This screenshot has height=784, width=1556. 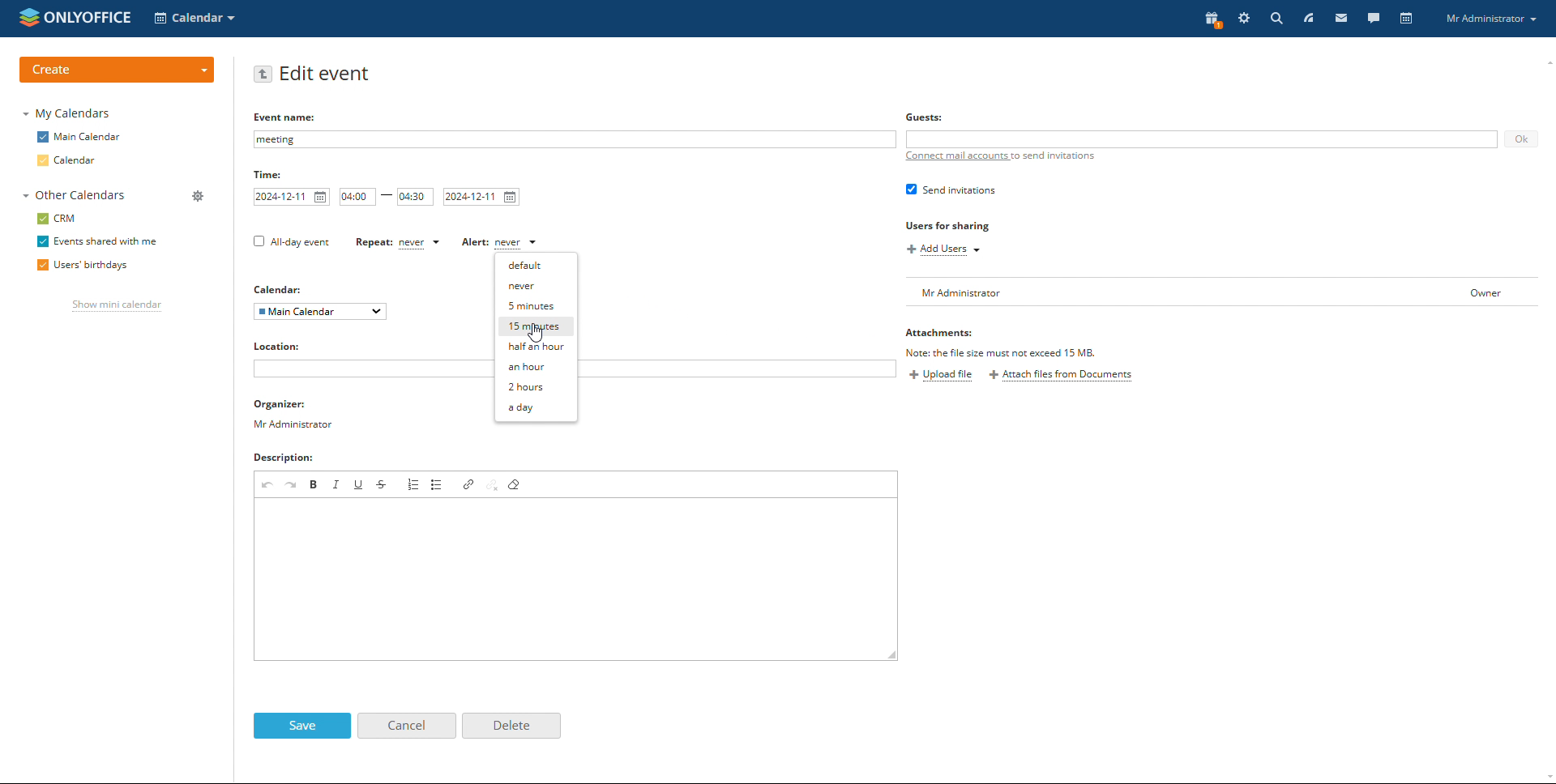 What do you see at coordinates (396, 242) in the screenshot?
I see `event repetition` at bounding box center [396, 242].